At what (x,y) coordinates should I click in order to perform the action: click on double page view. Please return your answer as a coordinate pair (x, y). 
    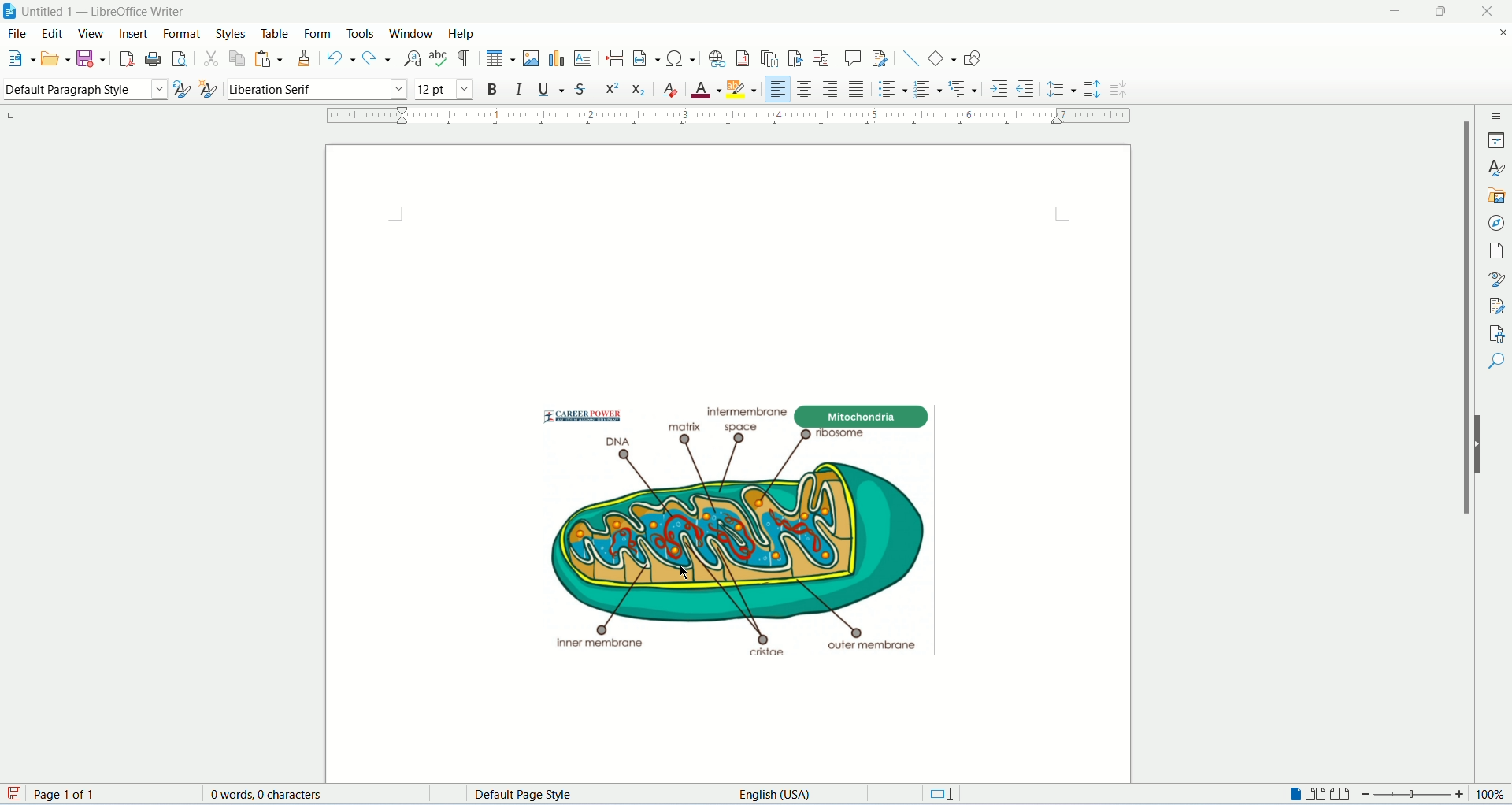
    Looking at the image, I should click on (1317, 796).